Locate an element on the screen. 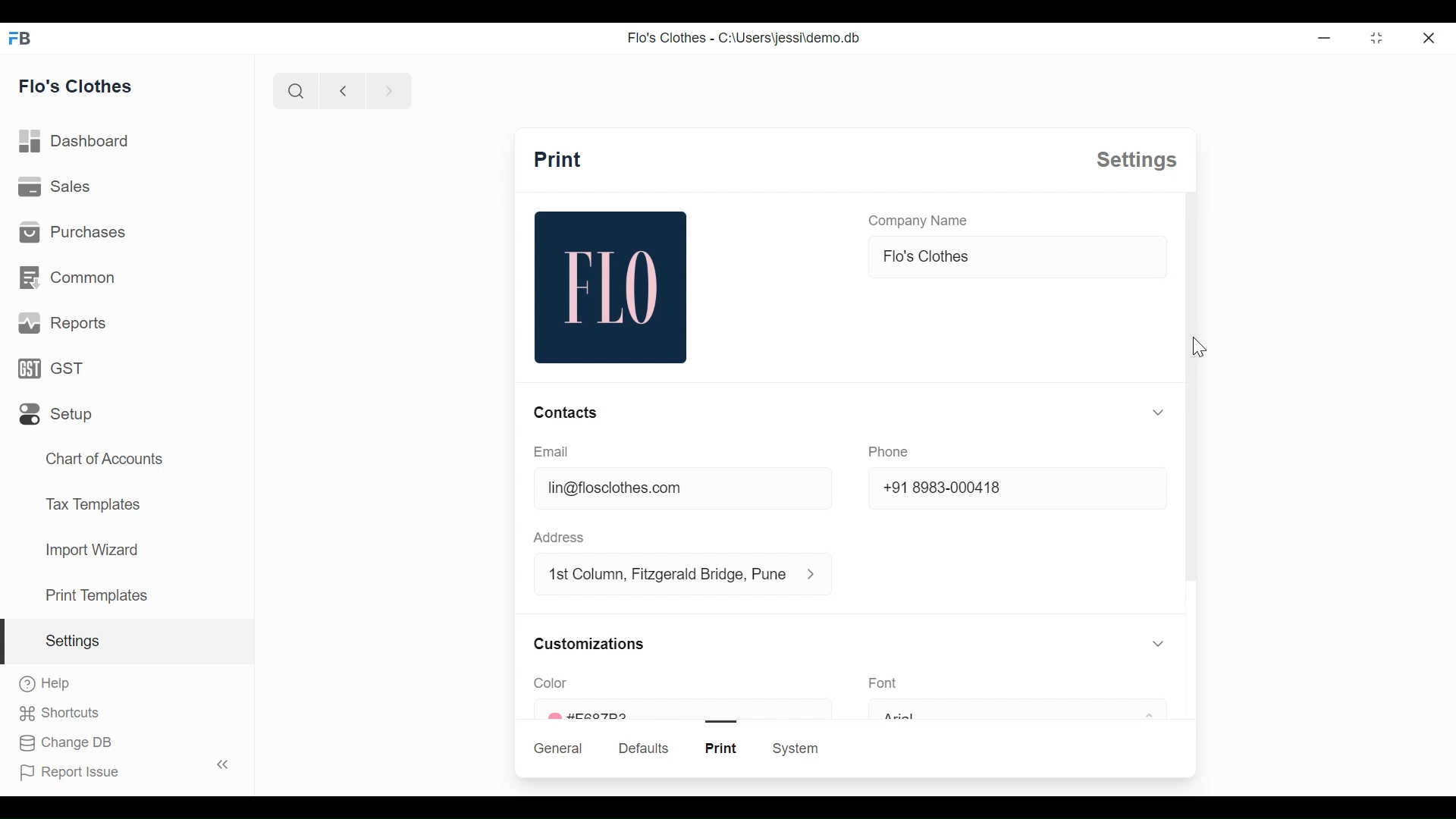 The image size is (1456, 819). flo's clothes is located at coordinates (76, 86).